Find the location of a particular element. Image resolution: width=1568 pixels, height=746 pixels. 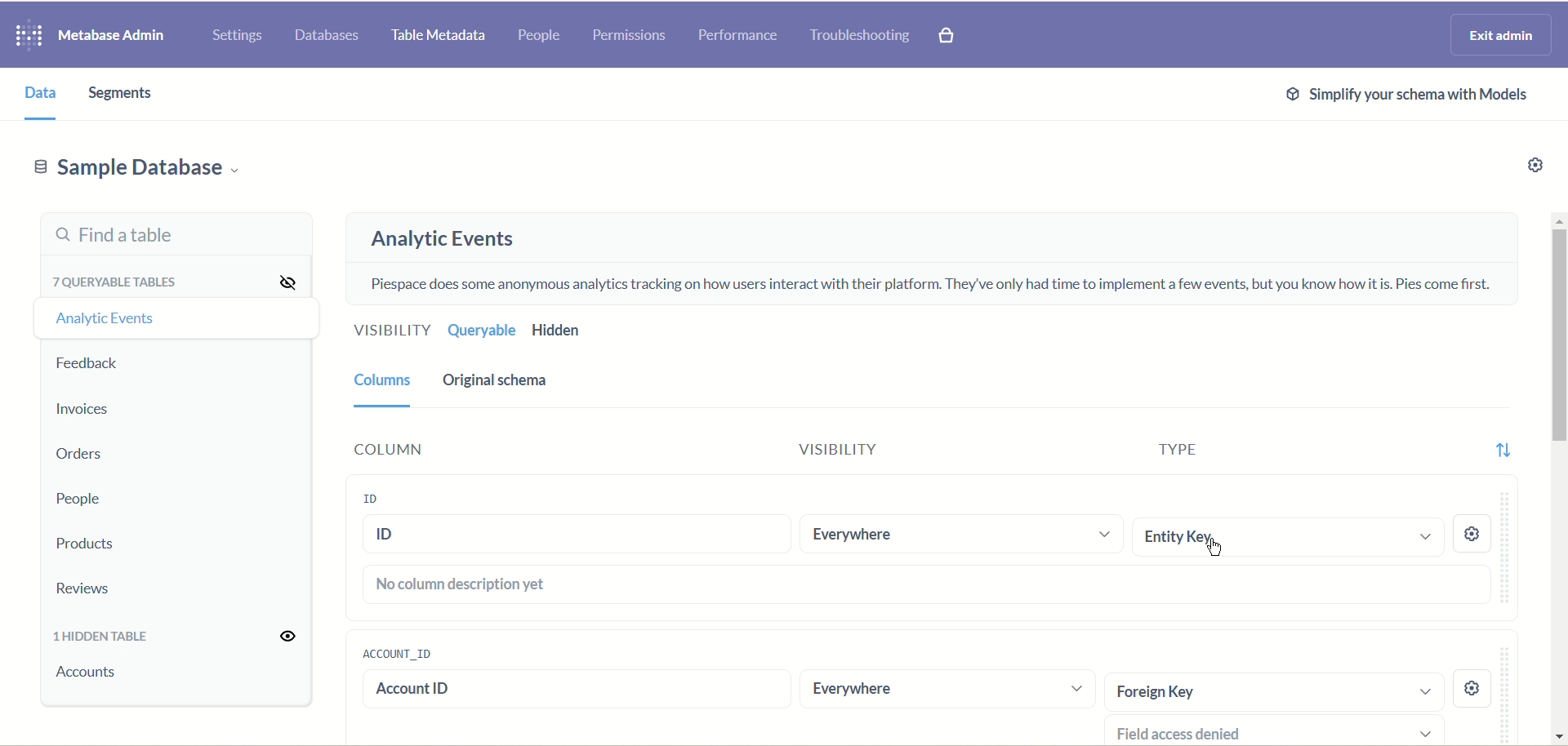

vertical scroll bar is located at coordinates (1557, 477).